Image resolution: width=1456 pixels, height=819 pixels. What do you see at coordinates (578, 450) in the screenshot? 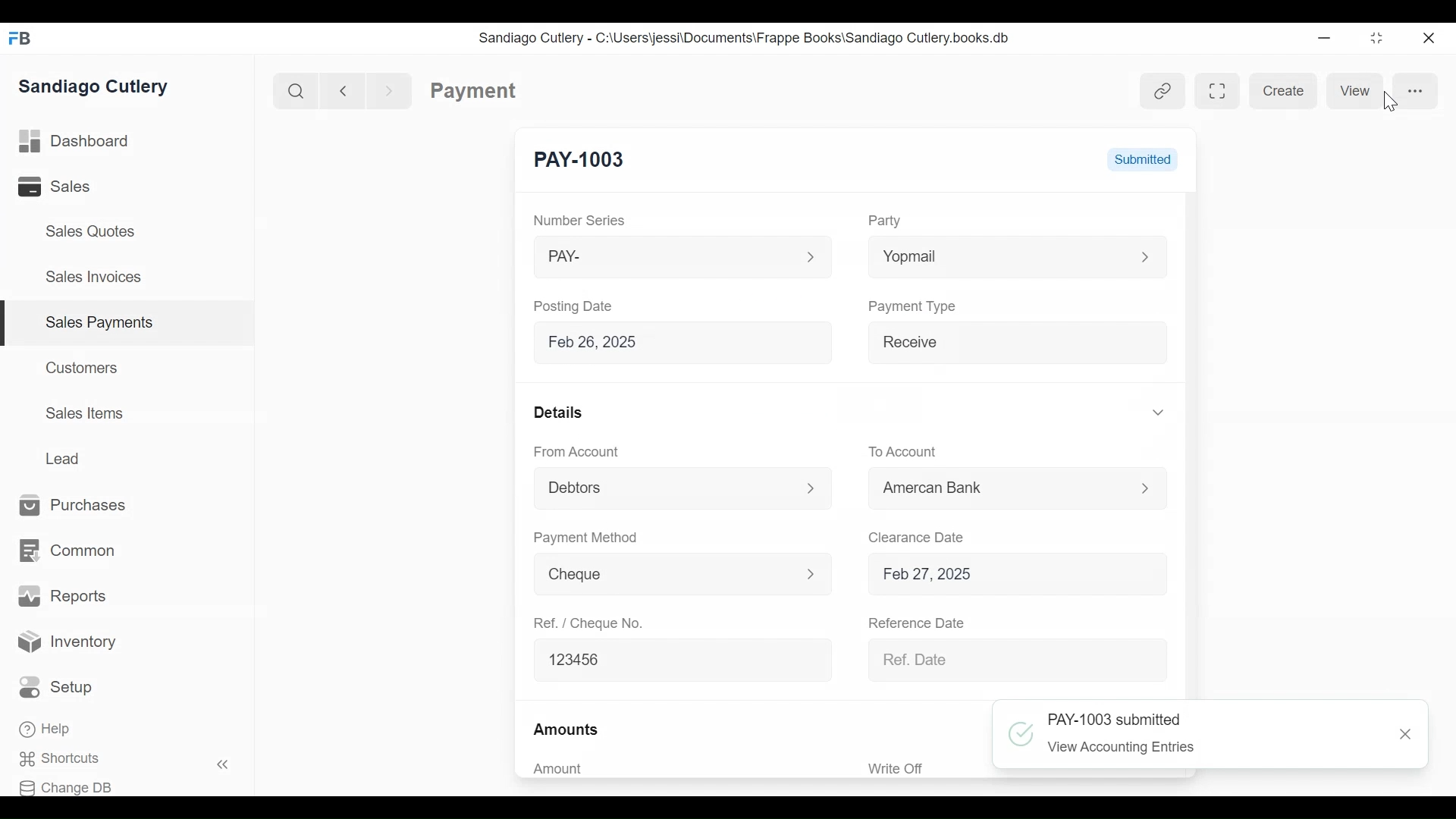
I see `From Account` at bounding box center [578, 450].